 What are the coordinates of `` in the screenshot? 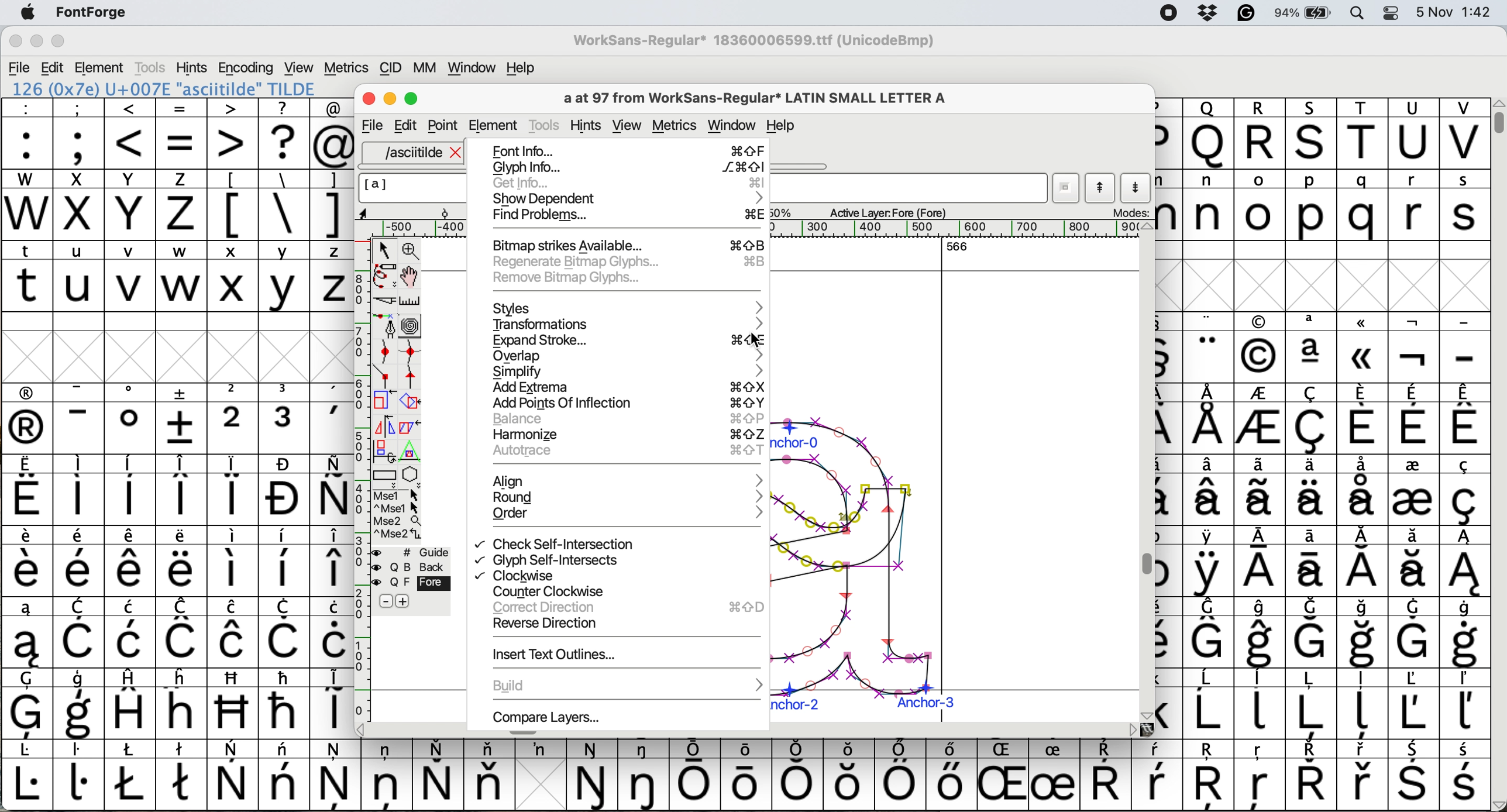 It's located at (1006, 775).